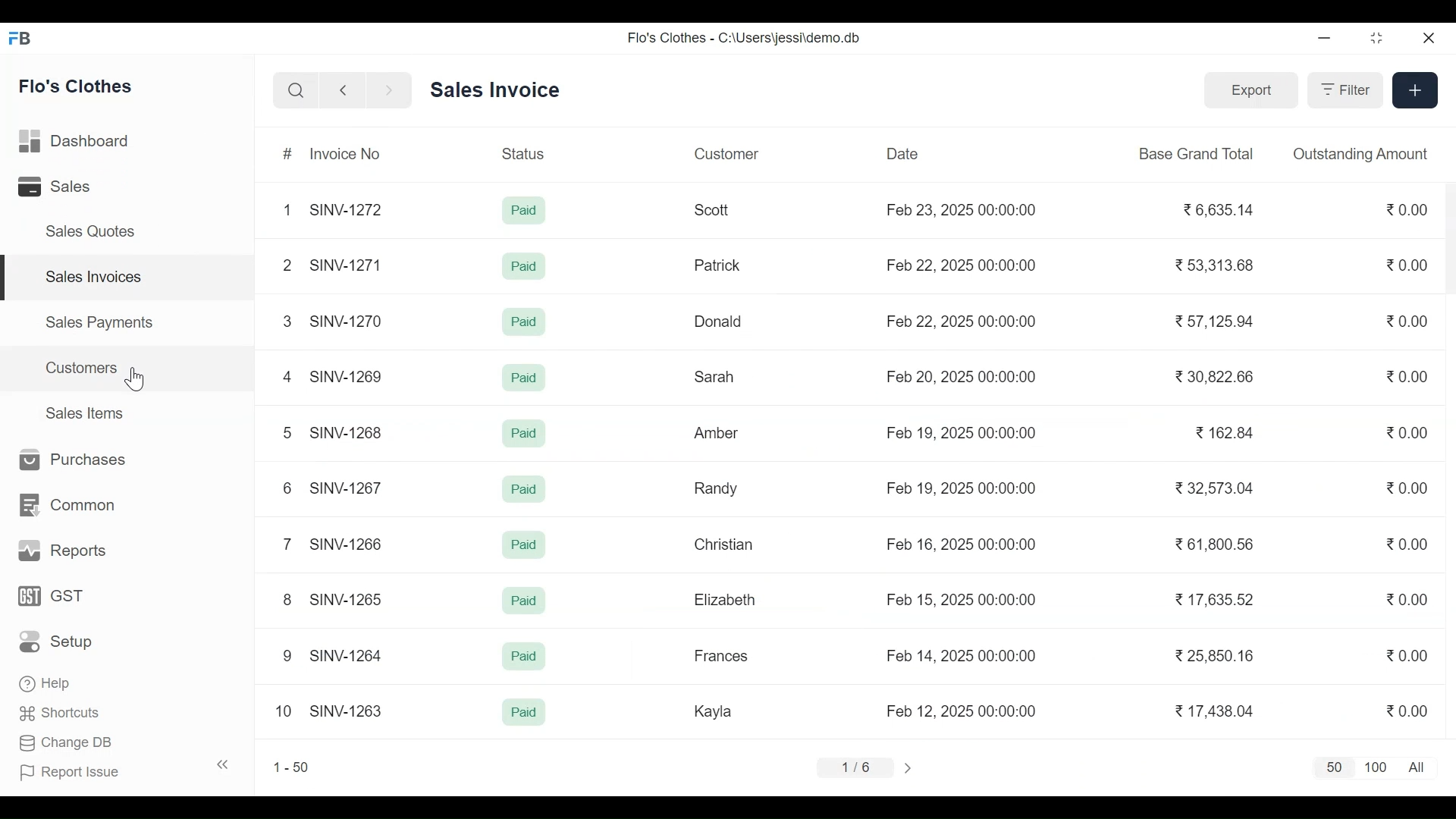 The image size is (1456, 819). What do you see at coordinates (717, 490) in the screenshot?
I see `Randy` at bounding box center [717, 490].